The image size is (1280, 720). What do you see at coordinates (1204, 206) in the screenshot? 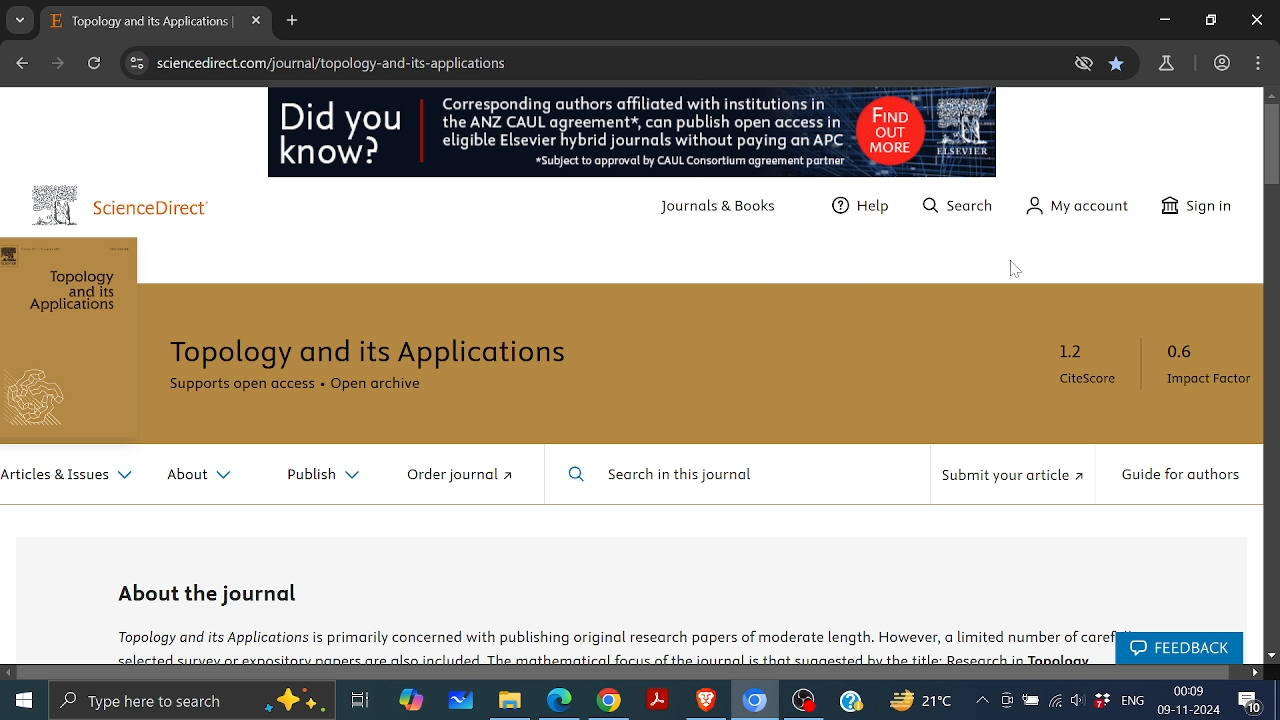
I see `Sign in` at bounding box center [1204, 206].